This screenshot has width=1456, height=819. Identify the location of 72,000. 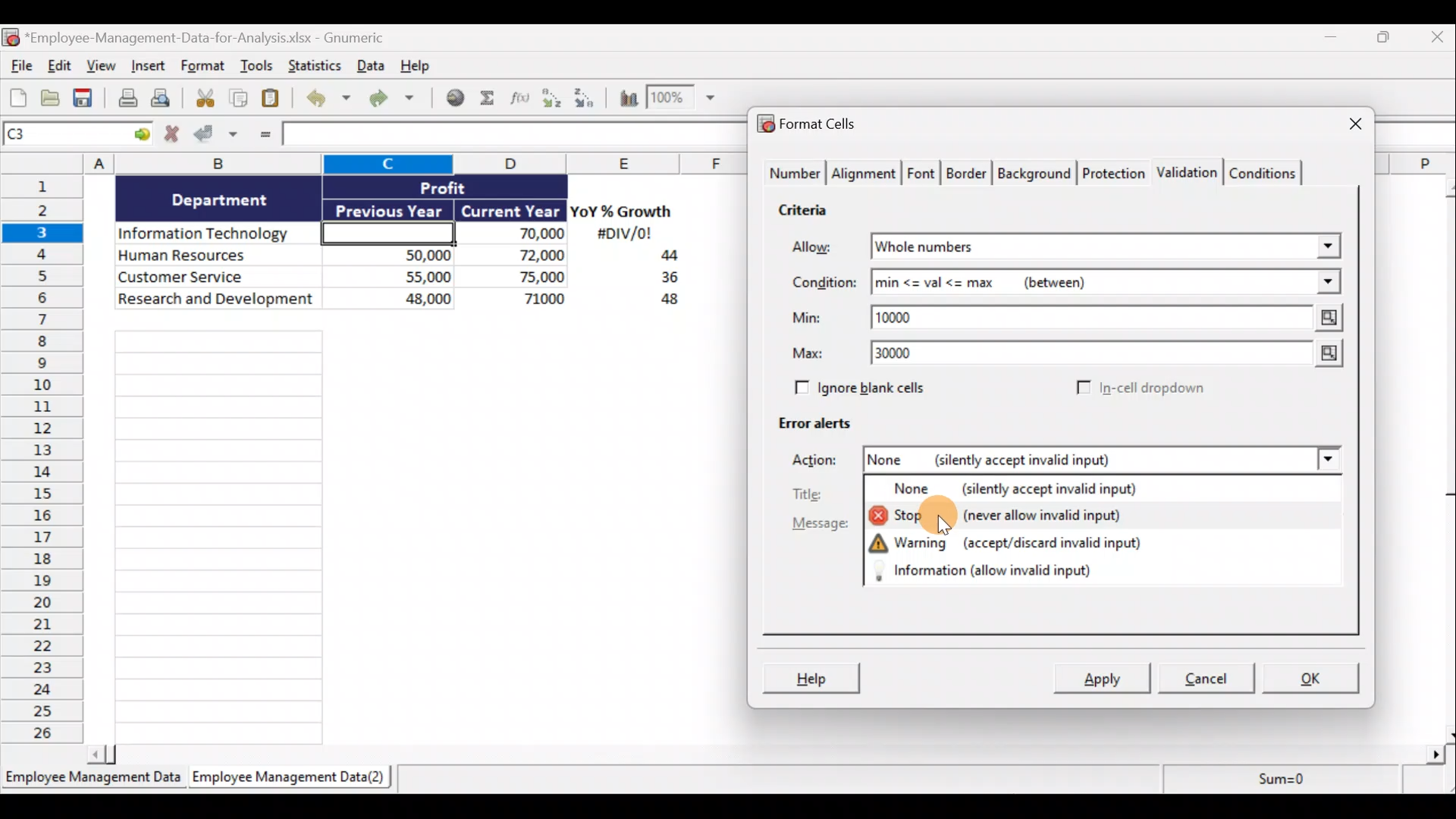
(518, 256).